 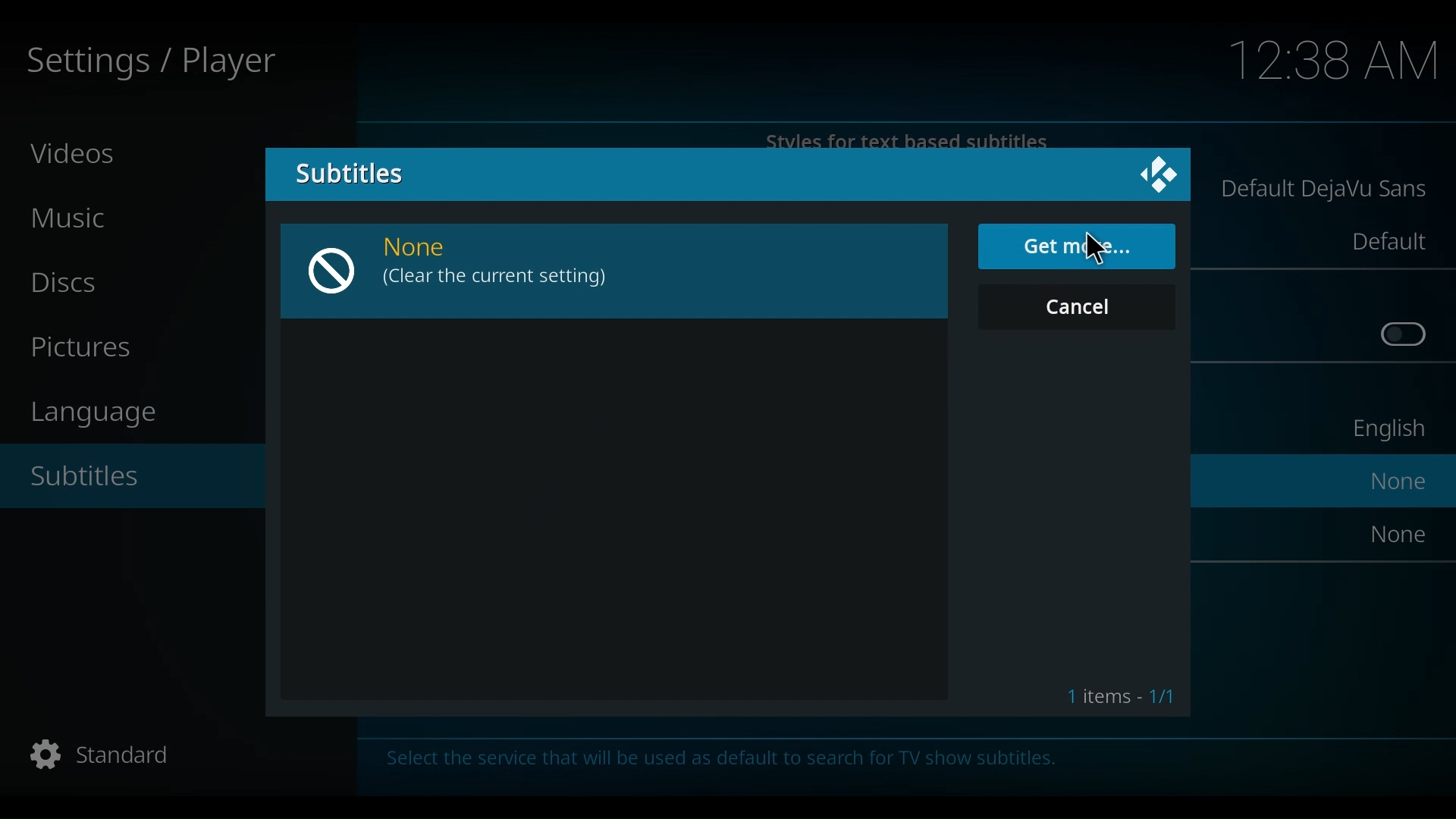 What do you see at coordinates (1385, 432) in the screenshot?
I see `English` at bounding box center [1385, 432].